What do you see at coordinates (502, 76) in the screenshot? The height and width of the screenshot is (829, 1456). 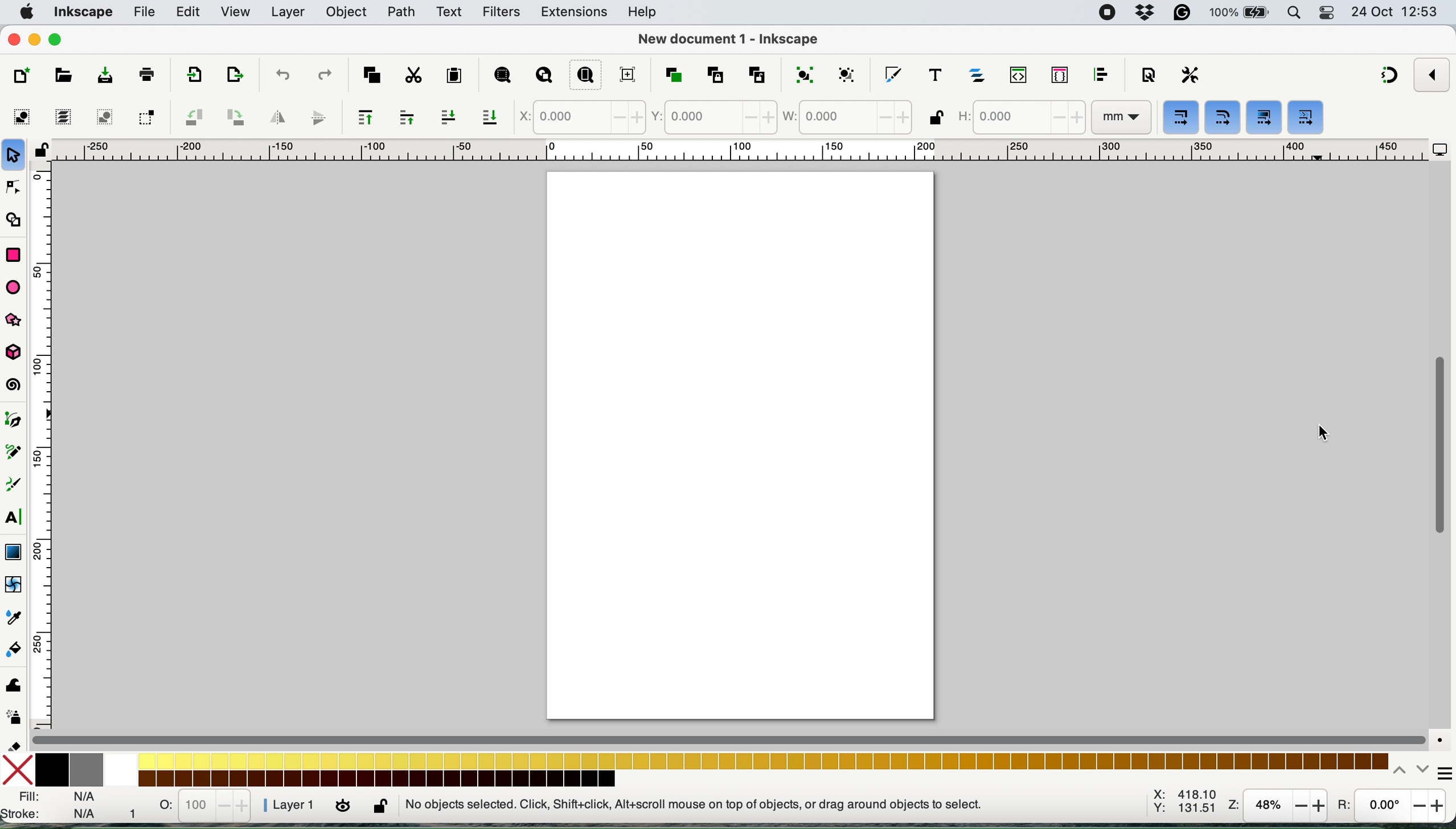 I see `zoom selection` at bounding box center [502, 76].